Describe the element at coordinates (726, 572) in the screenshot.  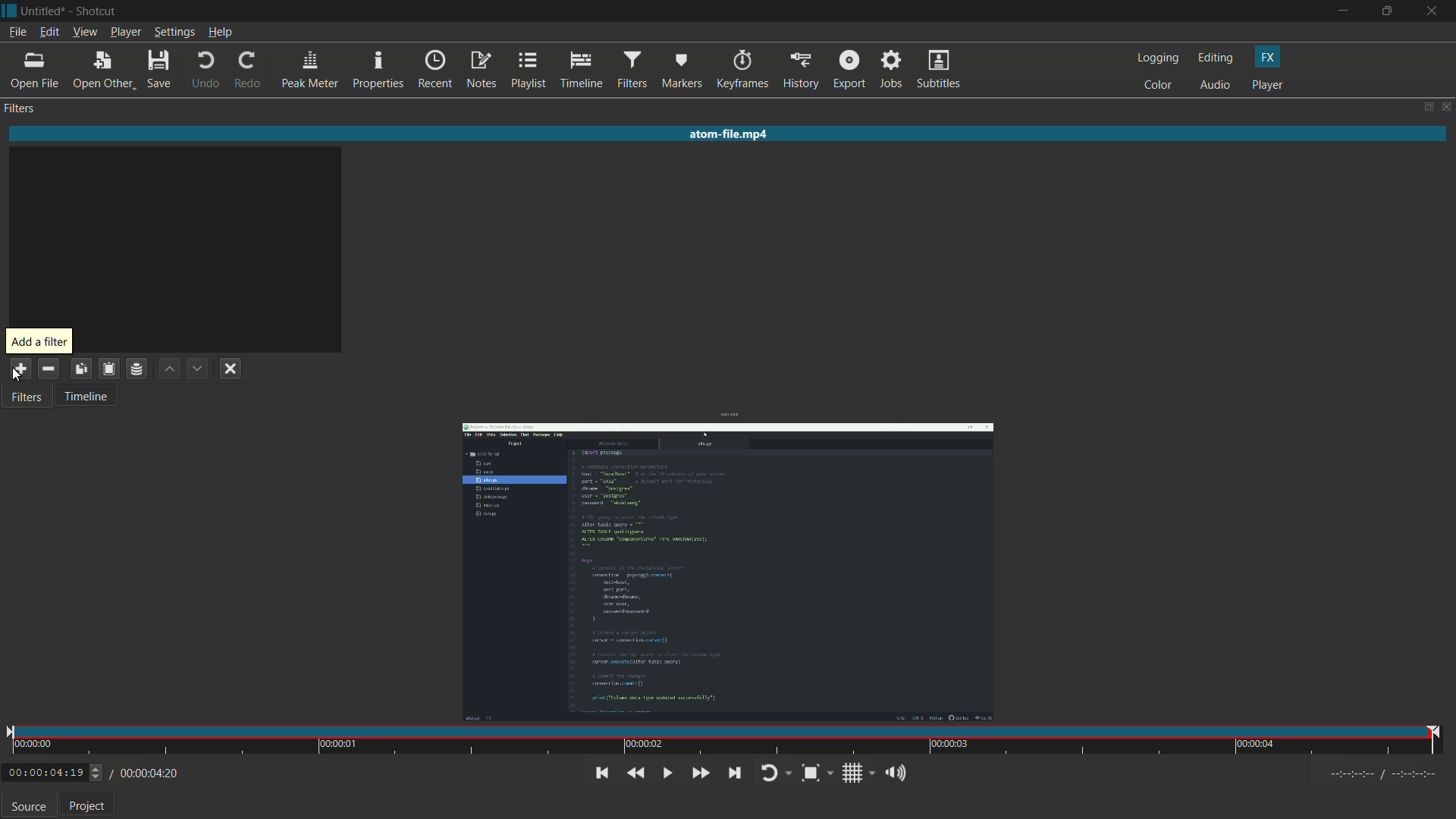
I see `opened file` at that location.